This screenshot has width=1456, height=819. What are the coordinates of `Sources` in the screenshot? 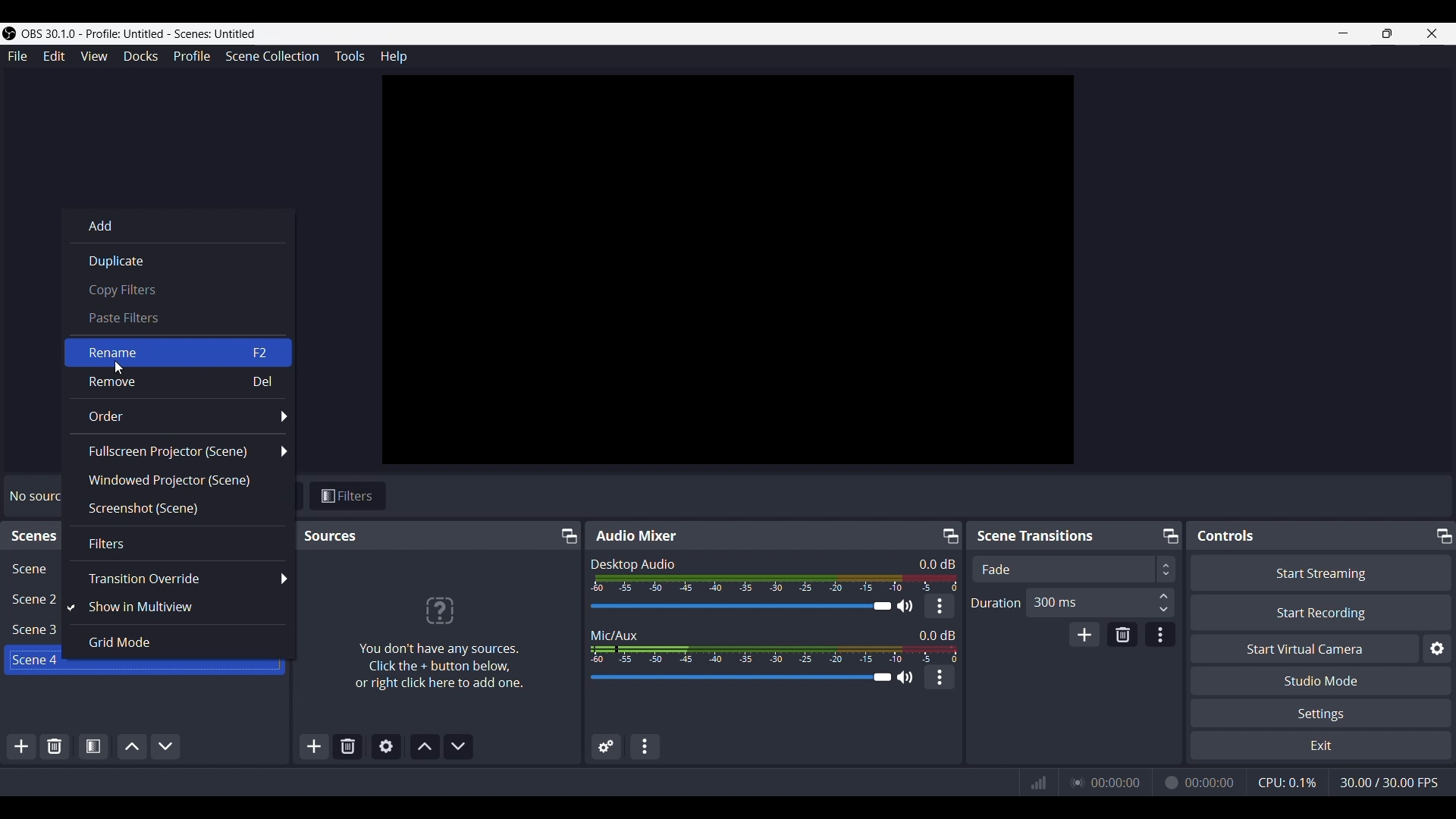 It's located at (331, 535).